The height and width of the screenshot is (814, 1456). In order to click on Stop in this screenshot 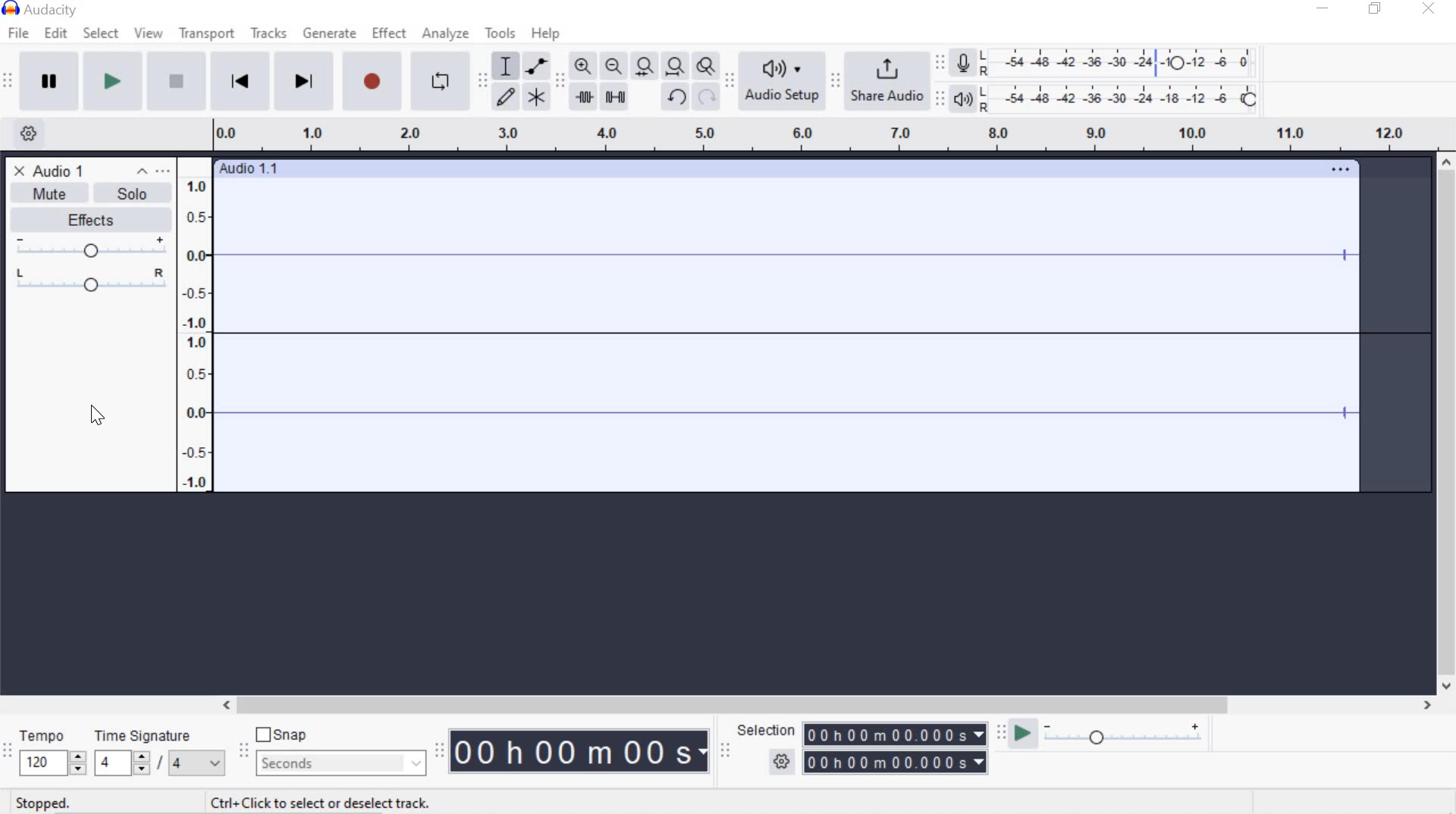, I will do `click(174, 83)`.